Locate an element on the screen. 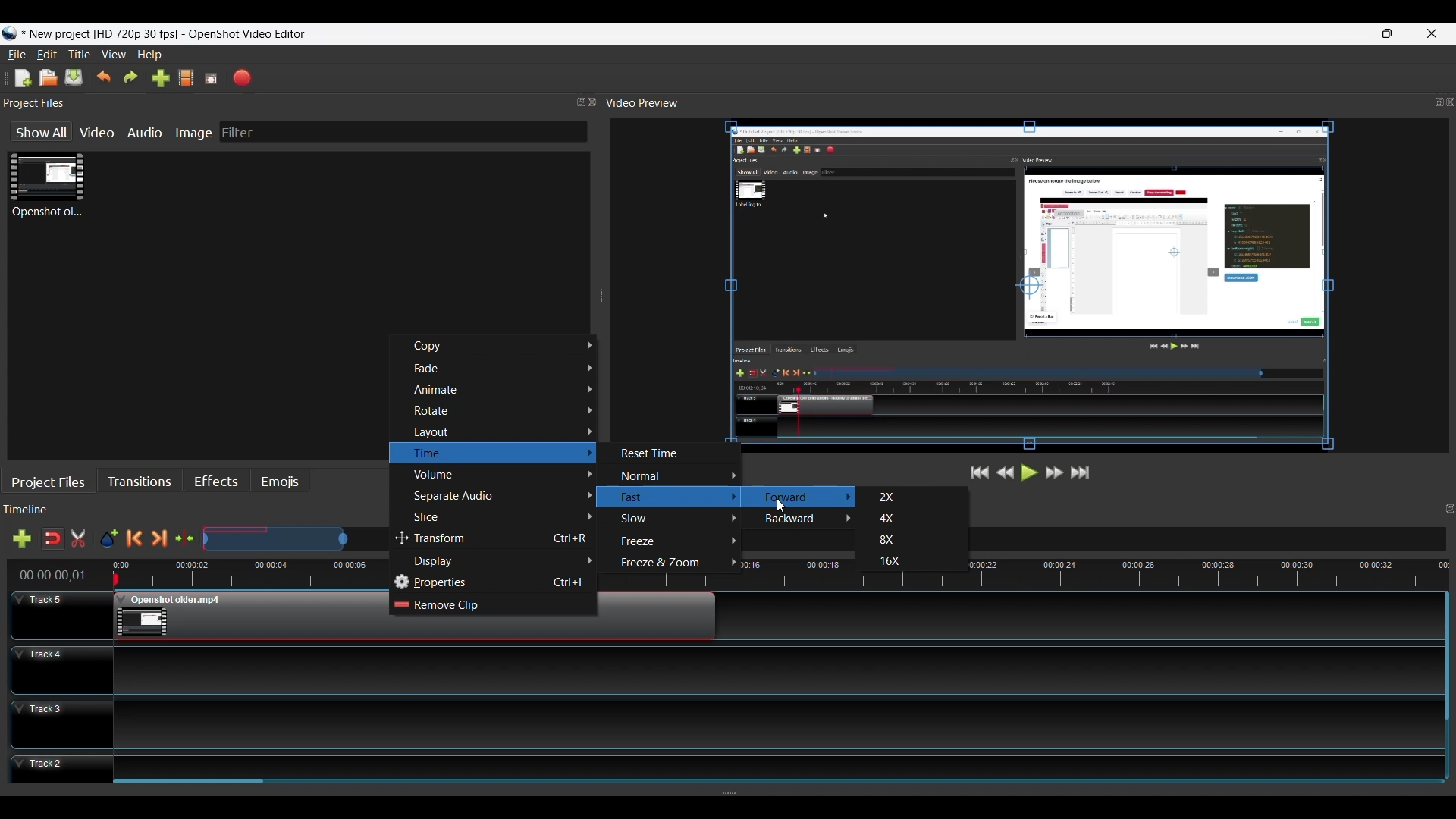 This screenshot has width=1456, height=819. Track Panel is located at coordinates (775, 670).